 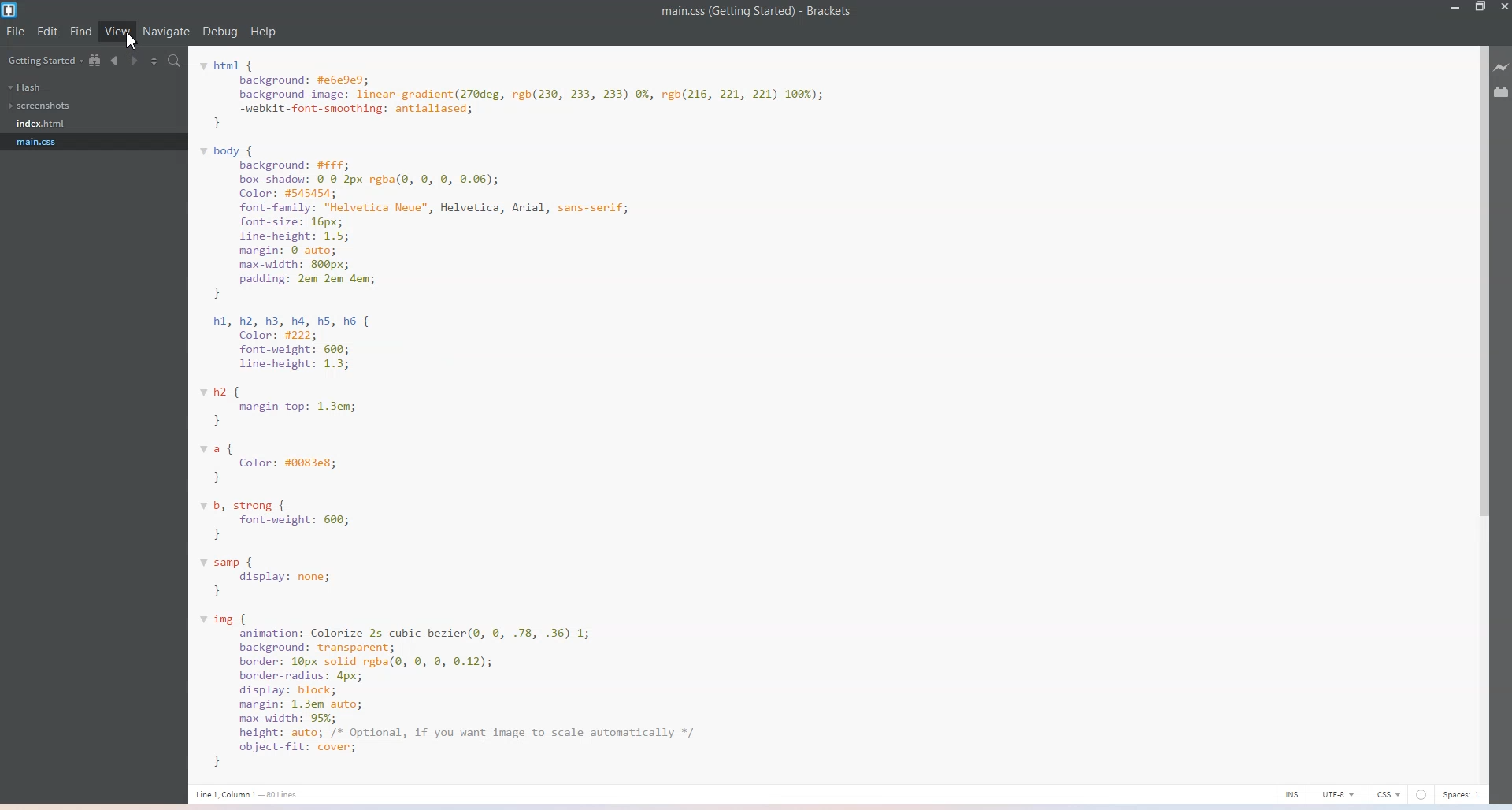 I want to click on Minimize, so click(x=1453, y=8).